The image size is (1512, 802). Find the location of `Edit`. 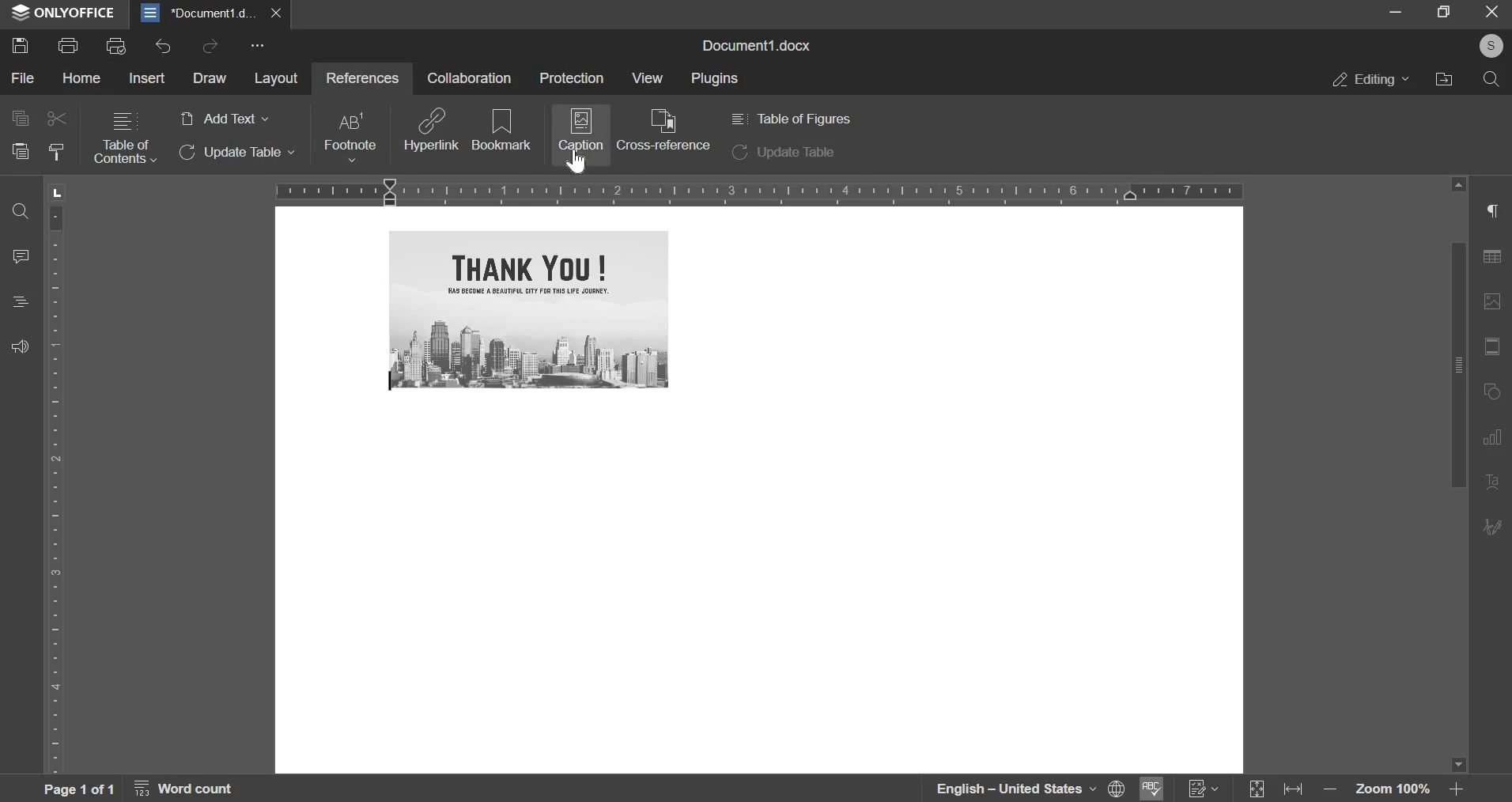

Edit is located at coordinates (1494, 525).